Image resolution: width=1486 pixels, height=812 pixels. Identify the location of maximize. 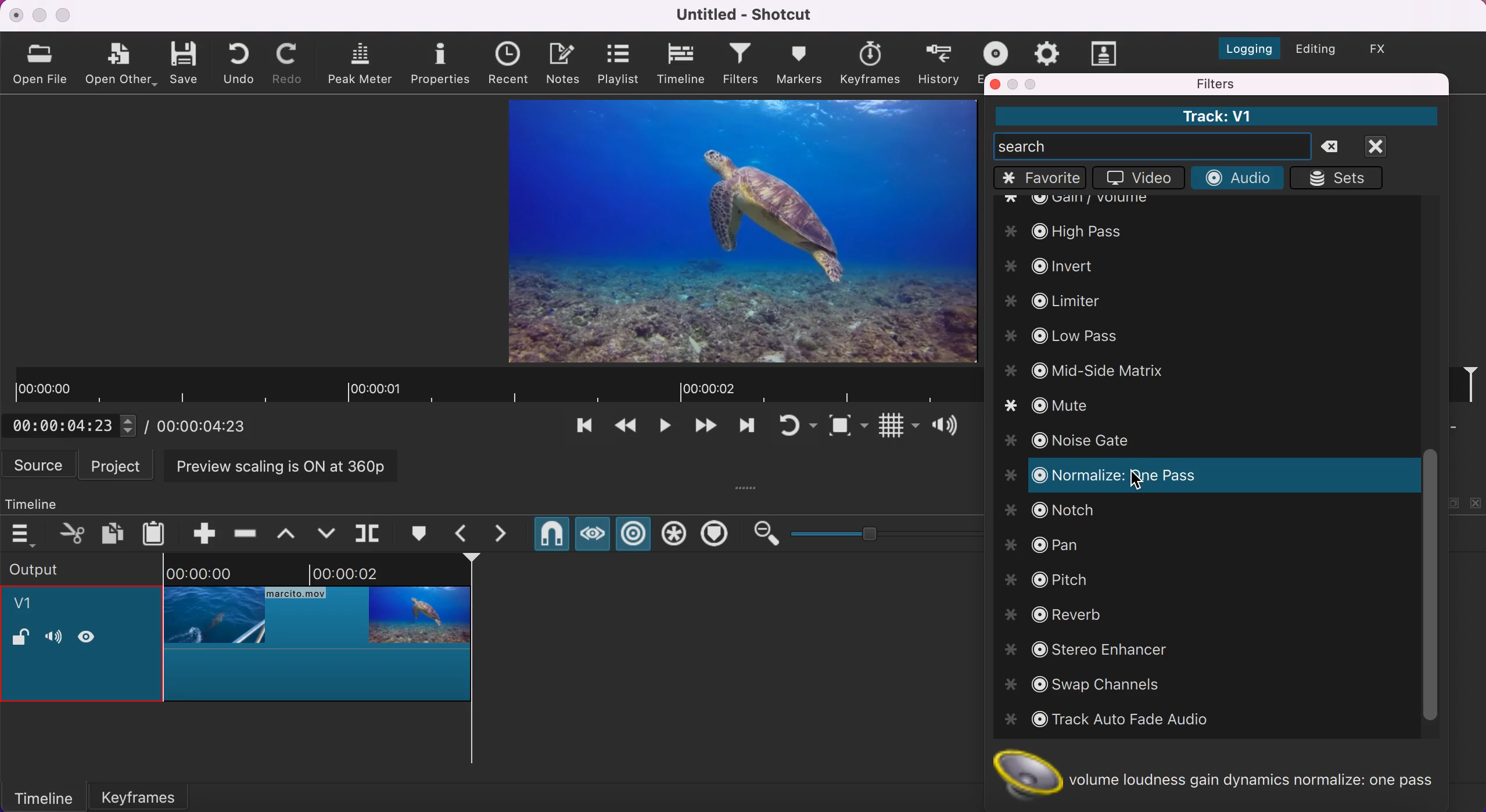
(65, 15).